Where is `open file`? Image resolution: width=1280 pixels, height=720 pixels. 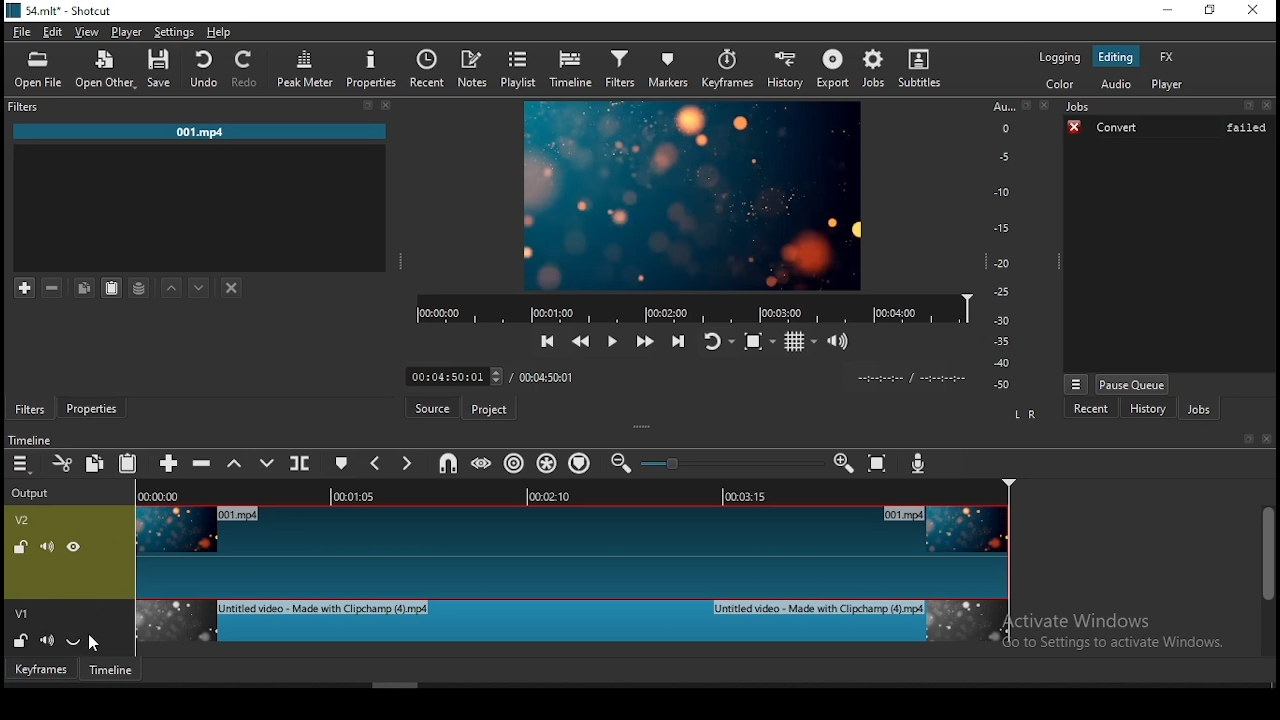 open file is located at coordinates (39, 70).